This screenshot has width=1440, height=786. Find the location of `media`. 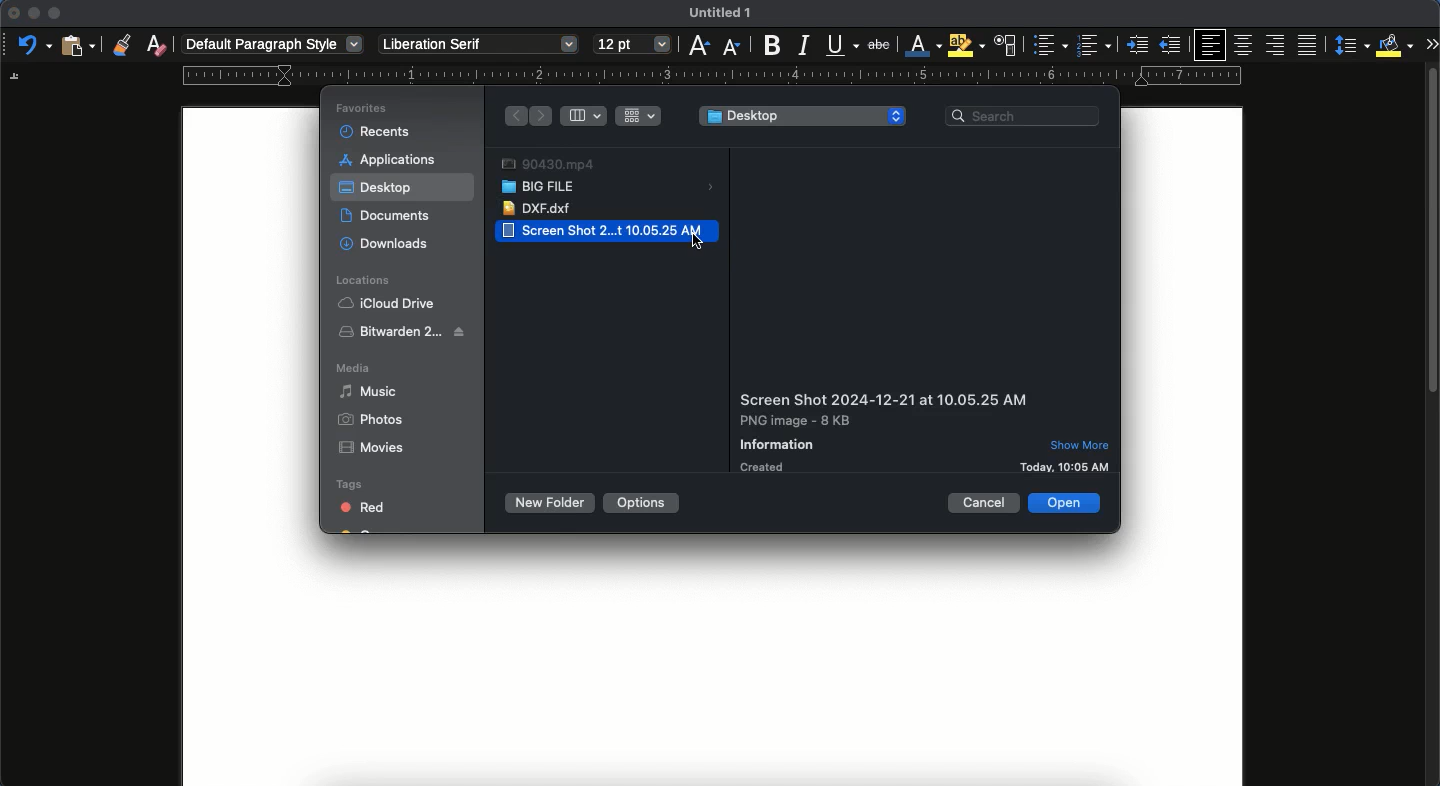

media is located at coordinates (354, 368).